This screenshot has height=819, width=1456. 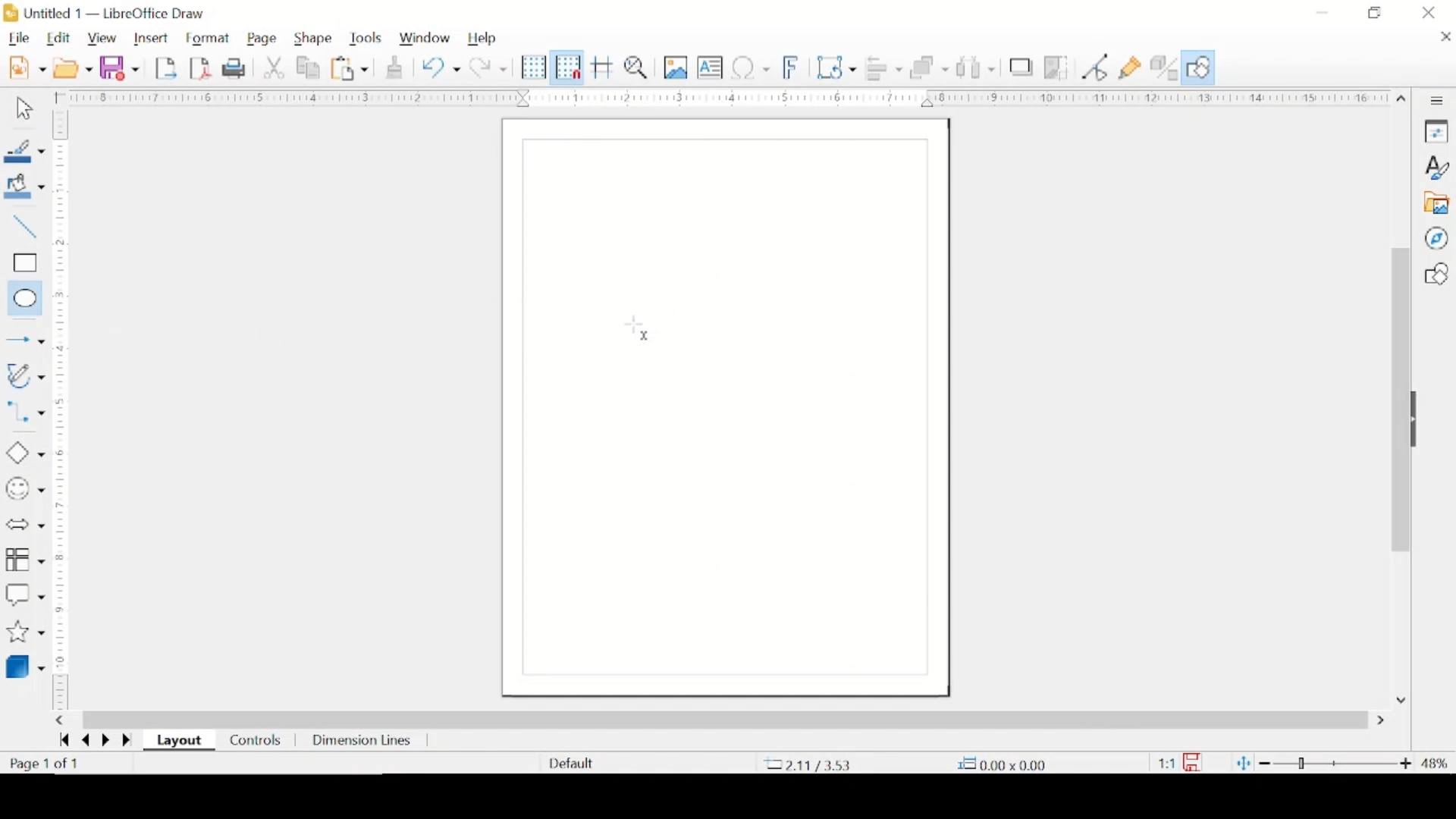 I want to click on drag handle, so click(x=1421, y=420).